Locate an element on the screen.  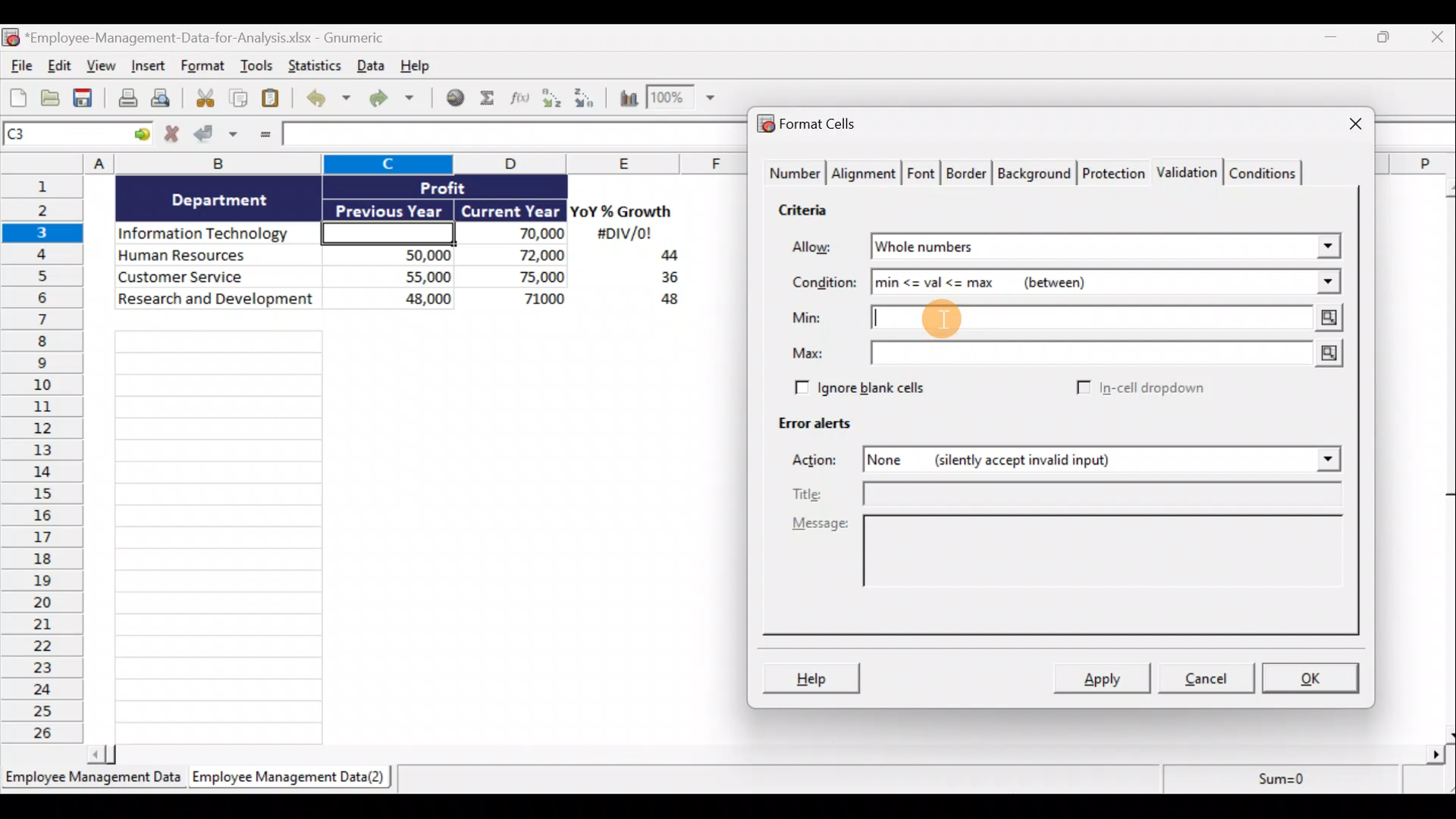
70,000 is located at coordinates (519, 234).